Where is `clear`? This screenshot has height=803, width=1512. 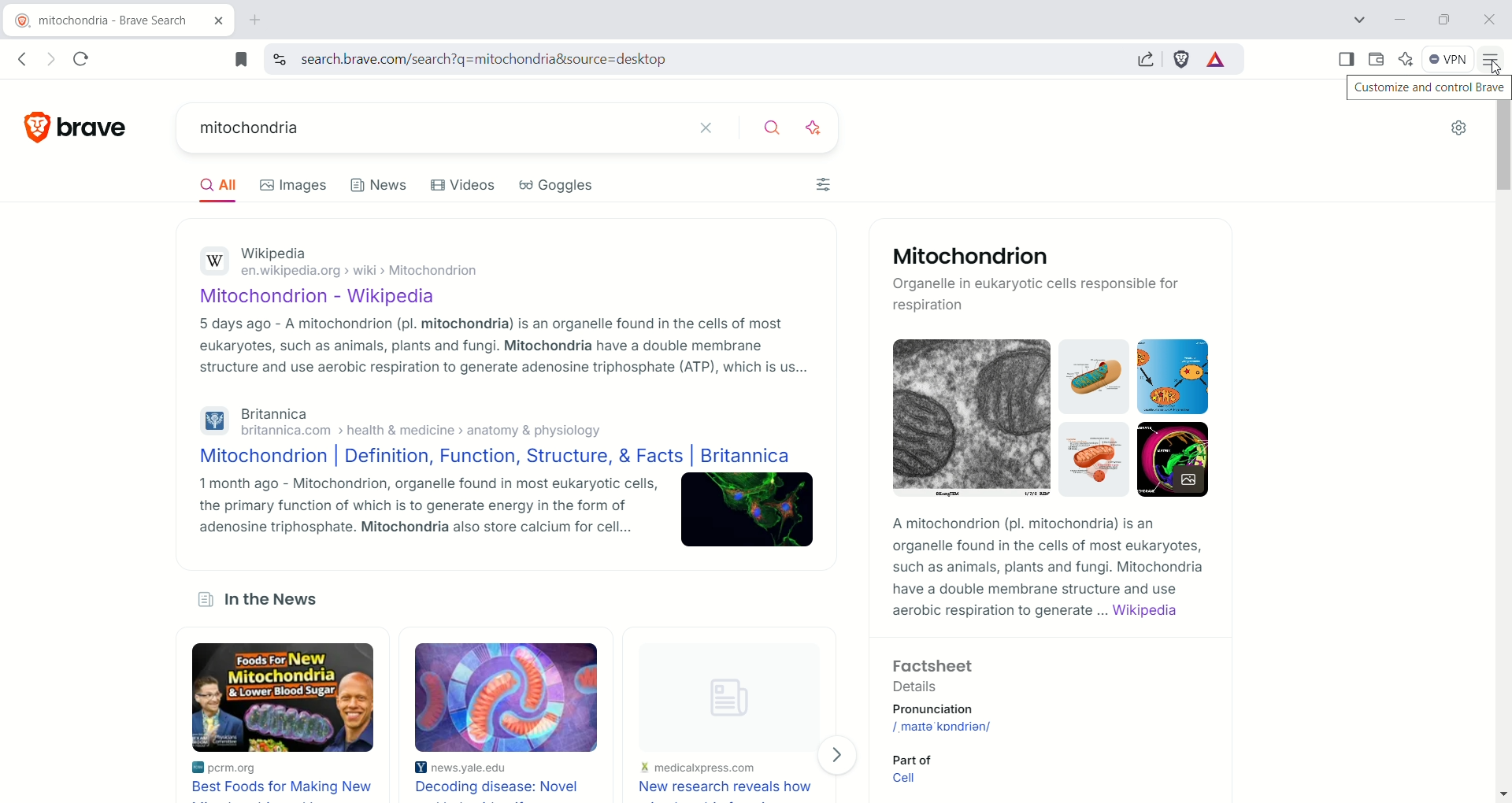
clear is located at coordinates (710, 128).